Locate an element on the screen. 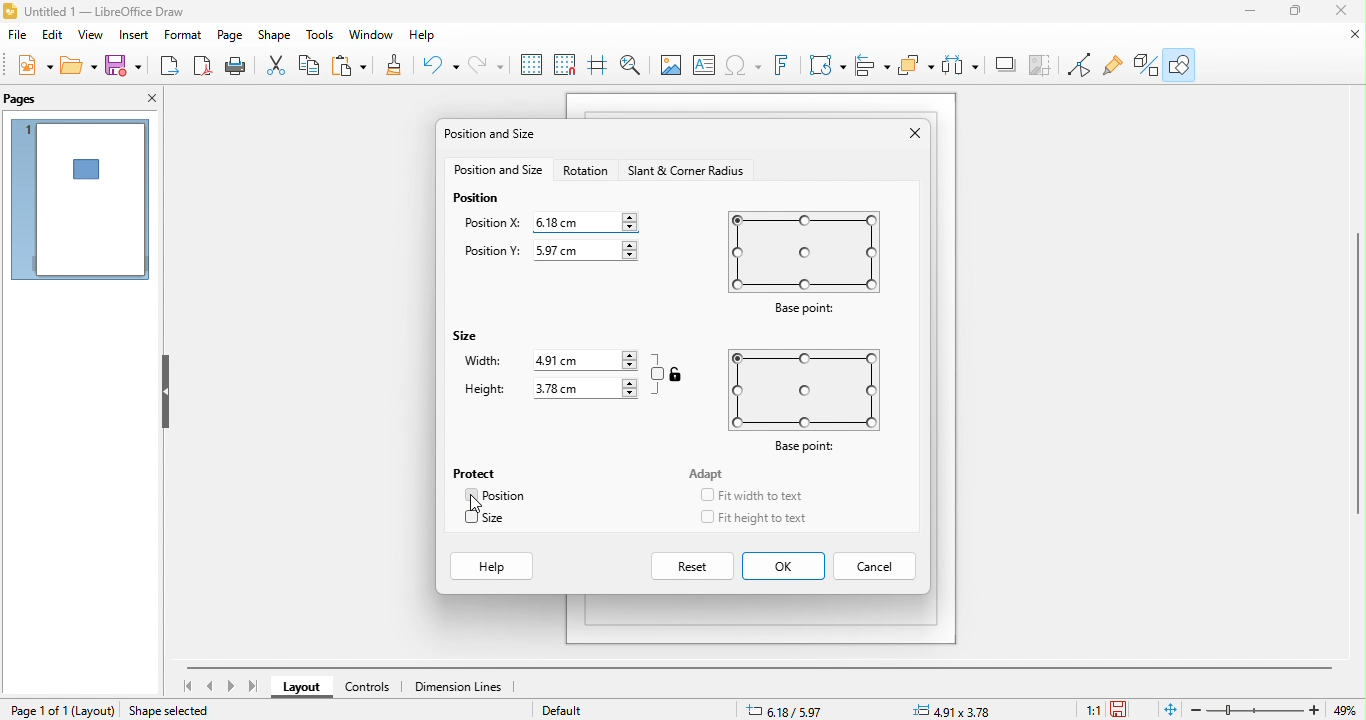 This screenshot has height=720, width=1366. save is located at coordinates (123, 65).